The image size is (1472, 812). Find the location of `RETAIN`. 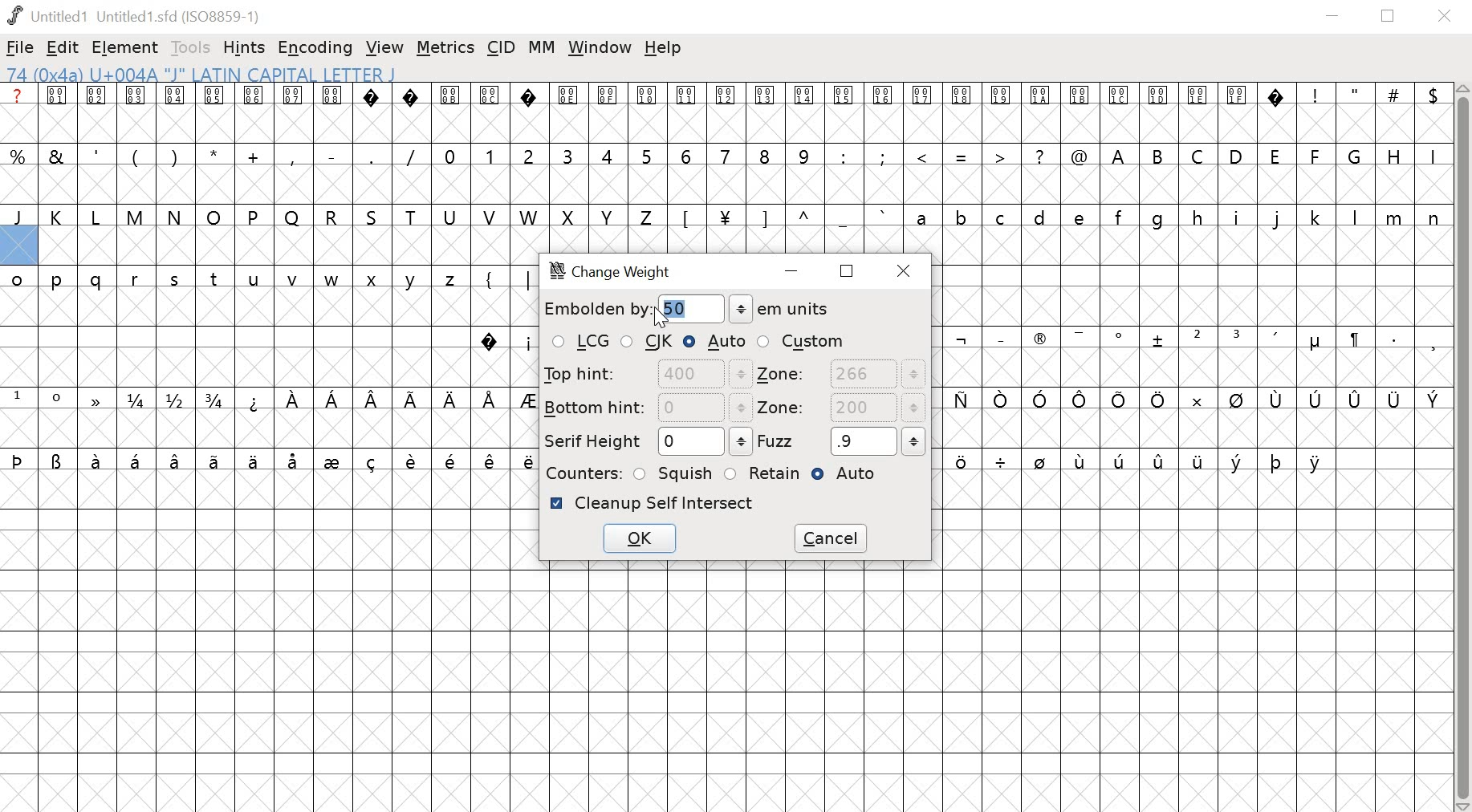

RETAIN is located at coordinates (762, 473).